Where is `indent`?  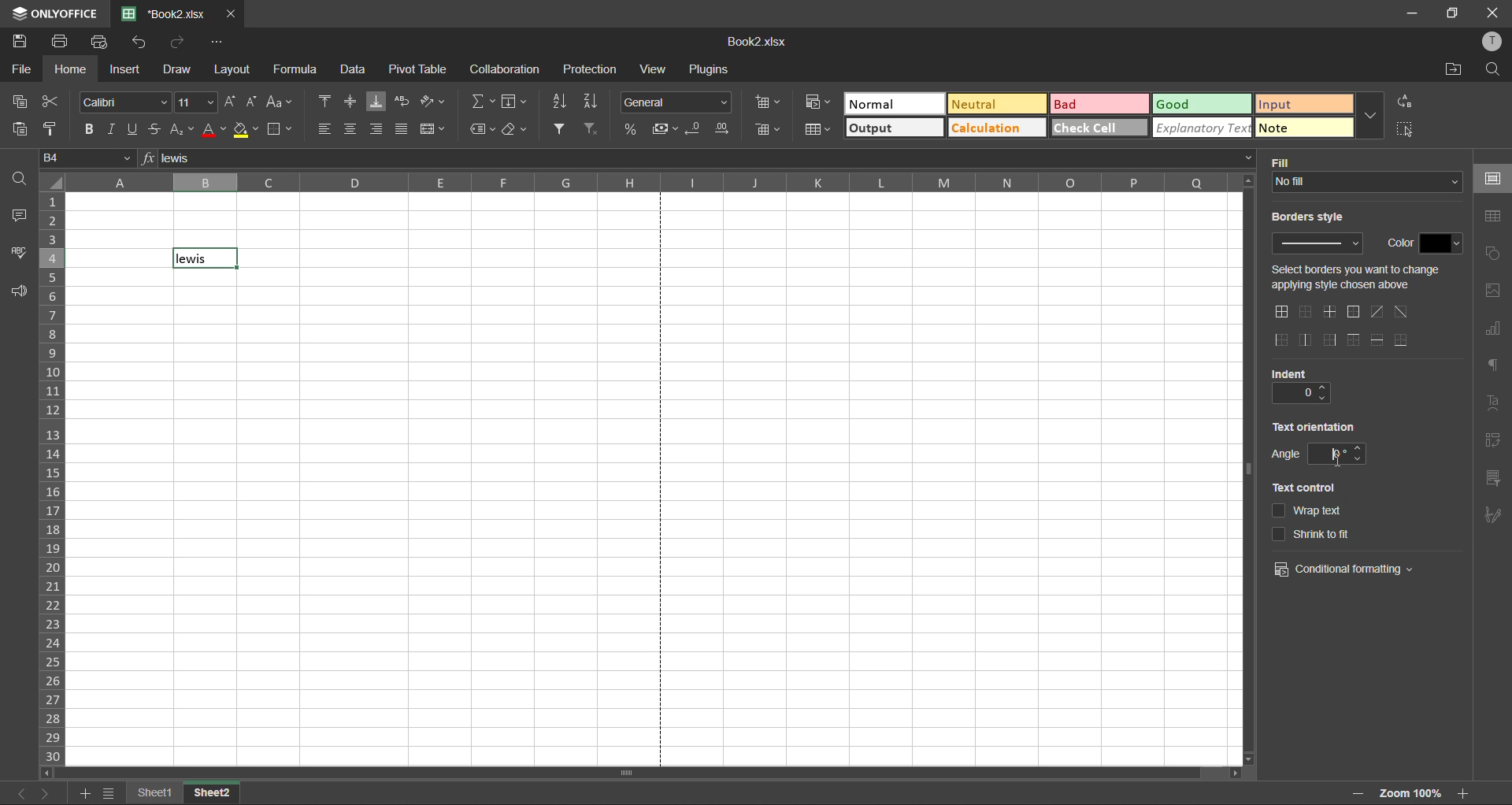 indent is located at coordinates (1285, 374).